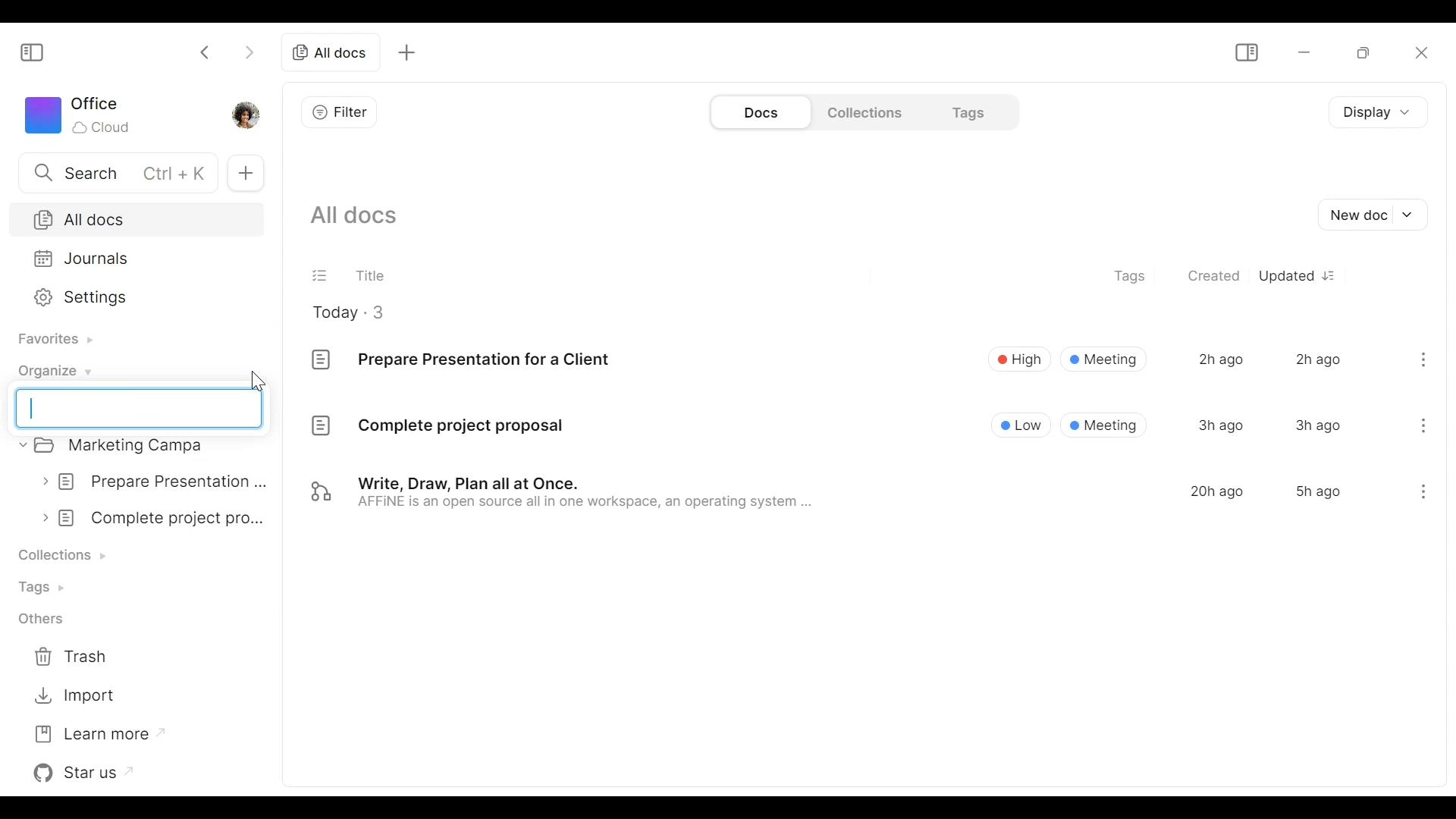 This screenshot has width=1456, height=819. What do you see at coordinates (33, 53) in the screenshot?
I see `Show/Hide Sidebar` at bounding box center [33, 53].